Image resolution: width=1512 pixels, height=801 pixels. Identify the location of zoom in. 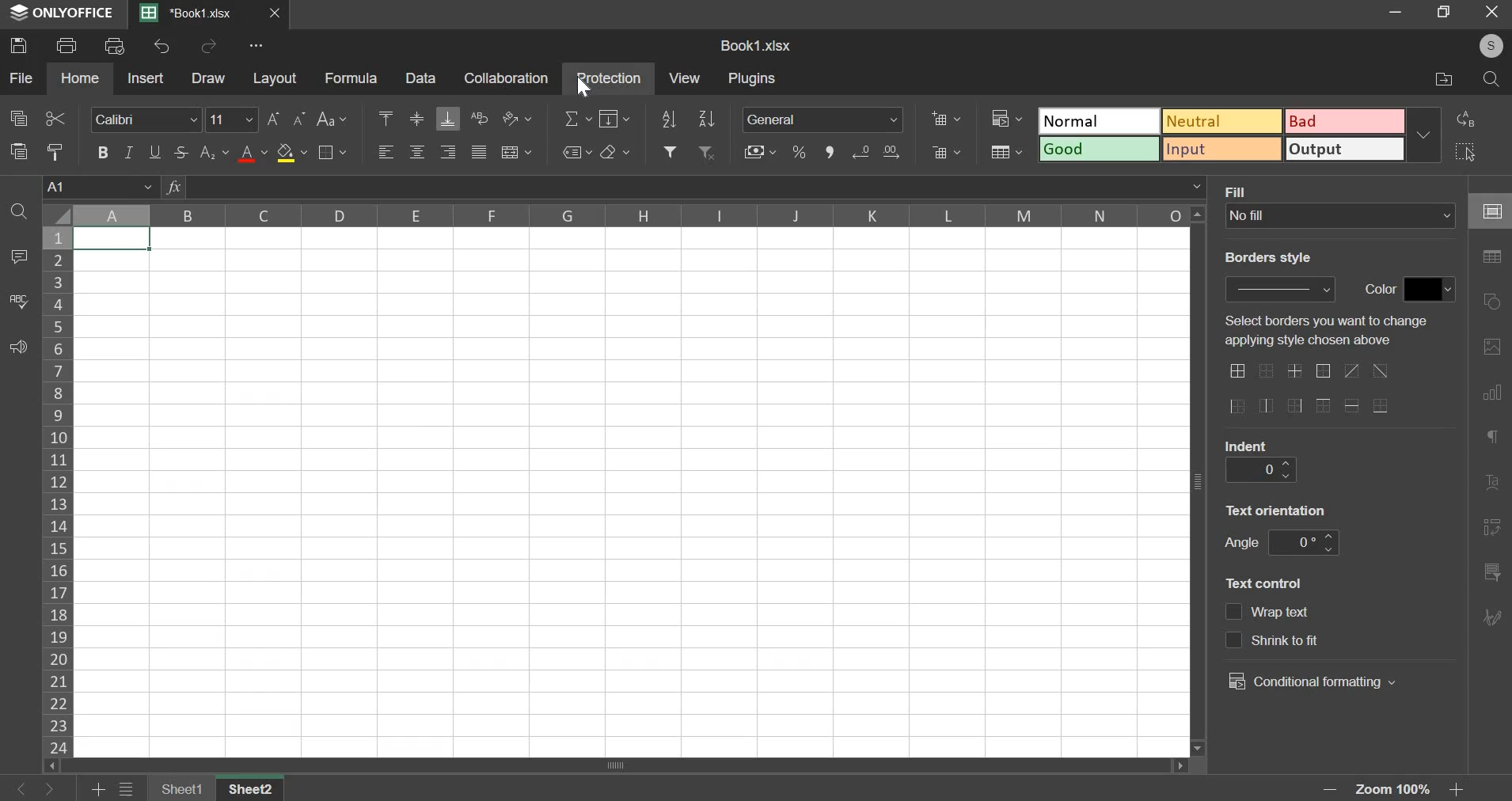
(1461, 790).